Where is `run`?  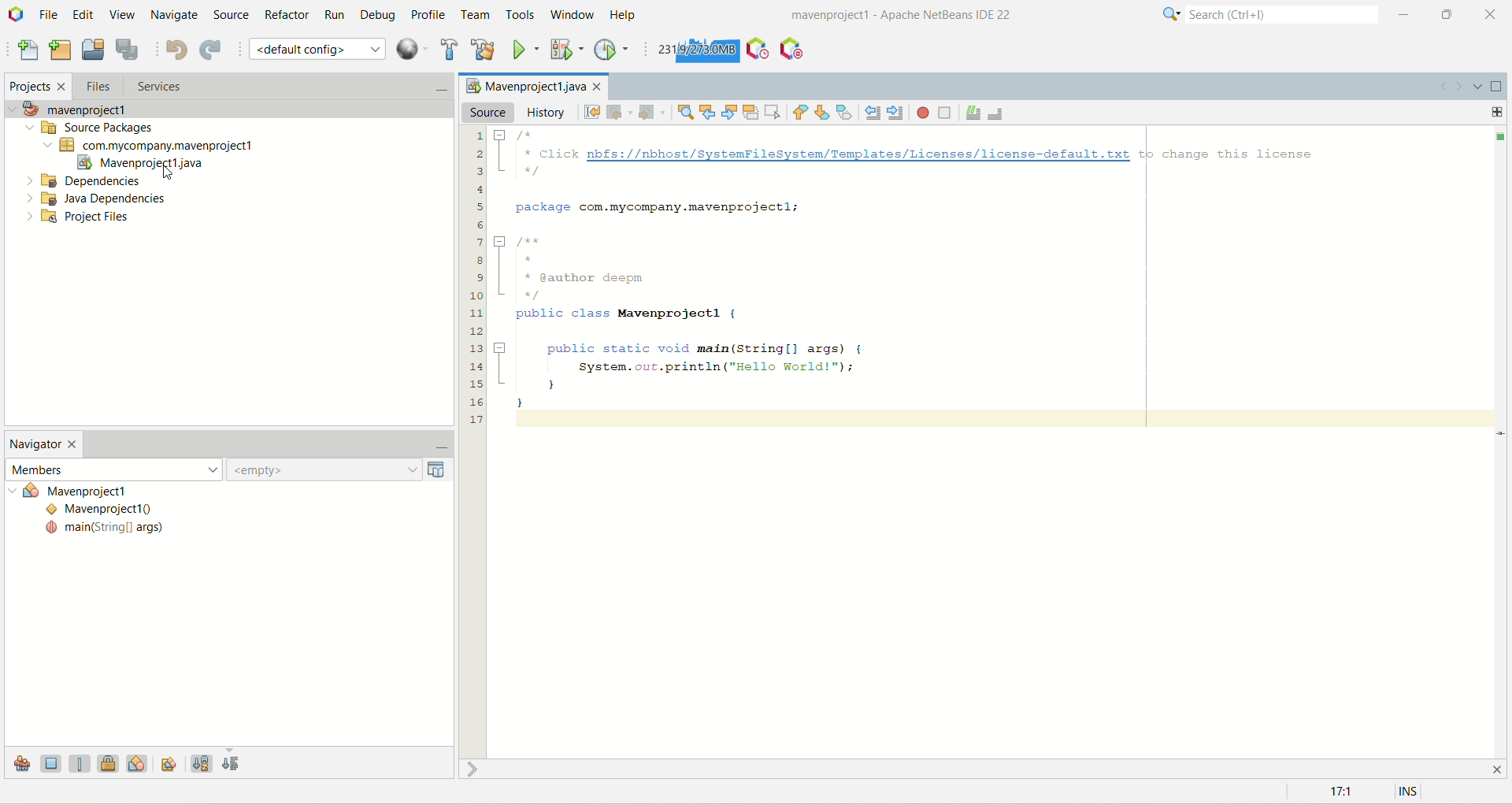 run is located at coordinates (335, 15).